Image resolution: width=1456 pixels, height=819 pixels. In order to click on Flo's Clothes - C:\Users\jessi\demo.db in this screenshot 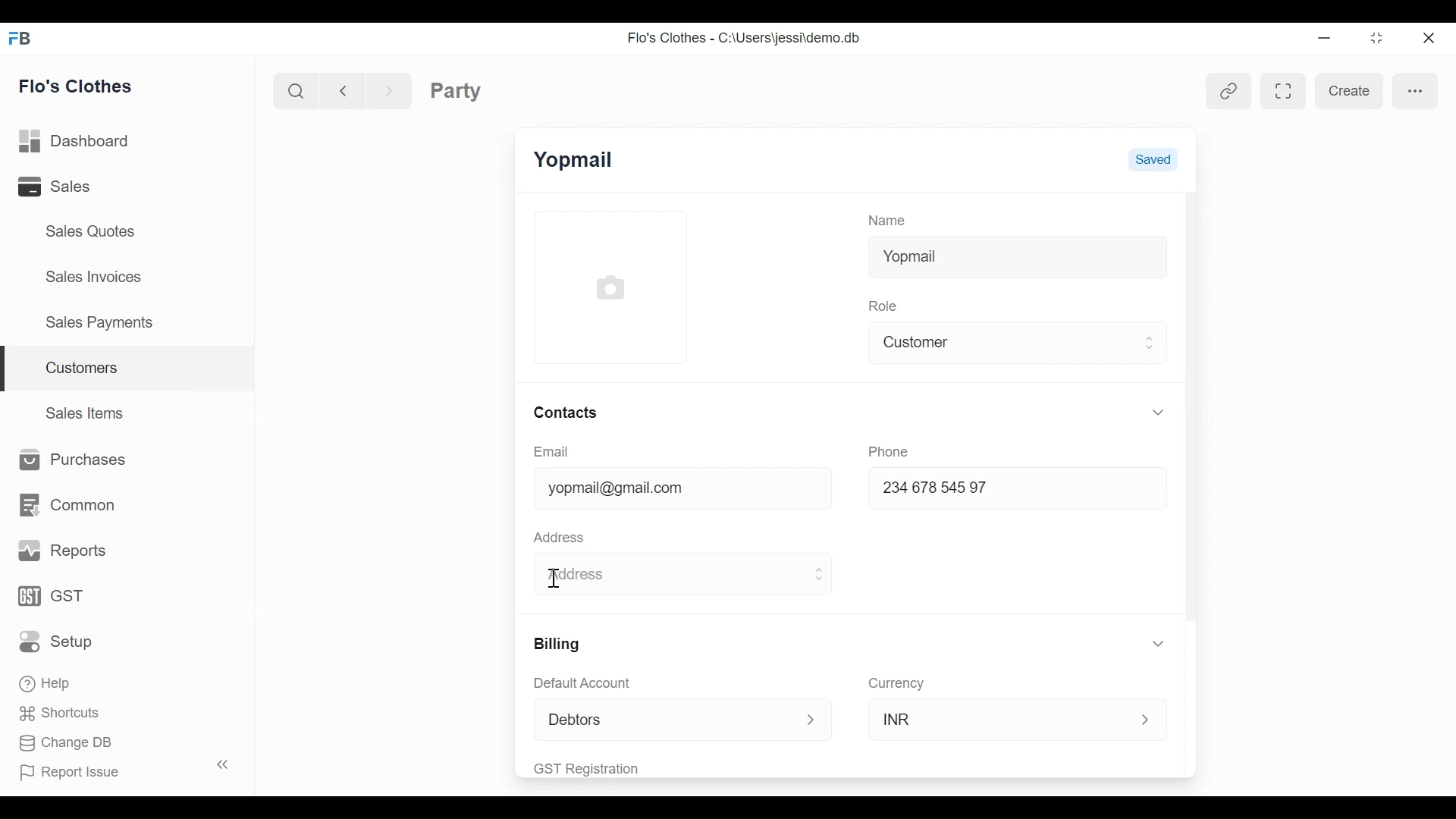, I will do `click(746, 39)`.